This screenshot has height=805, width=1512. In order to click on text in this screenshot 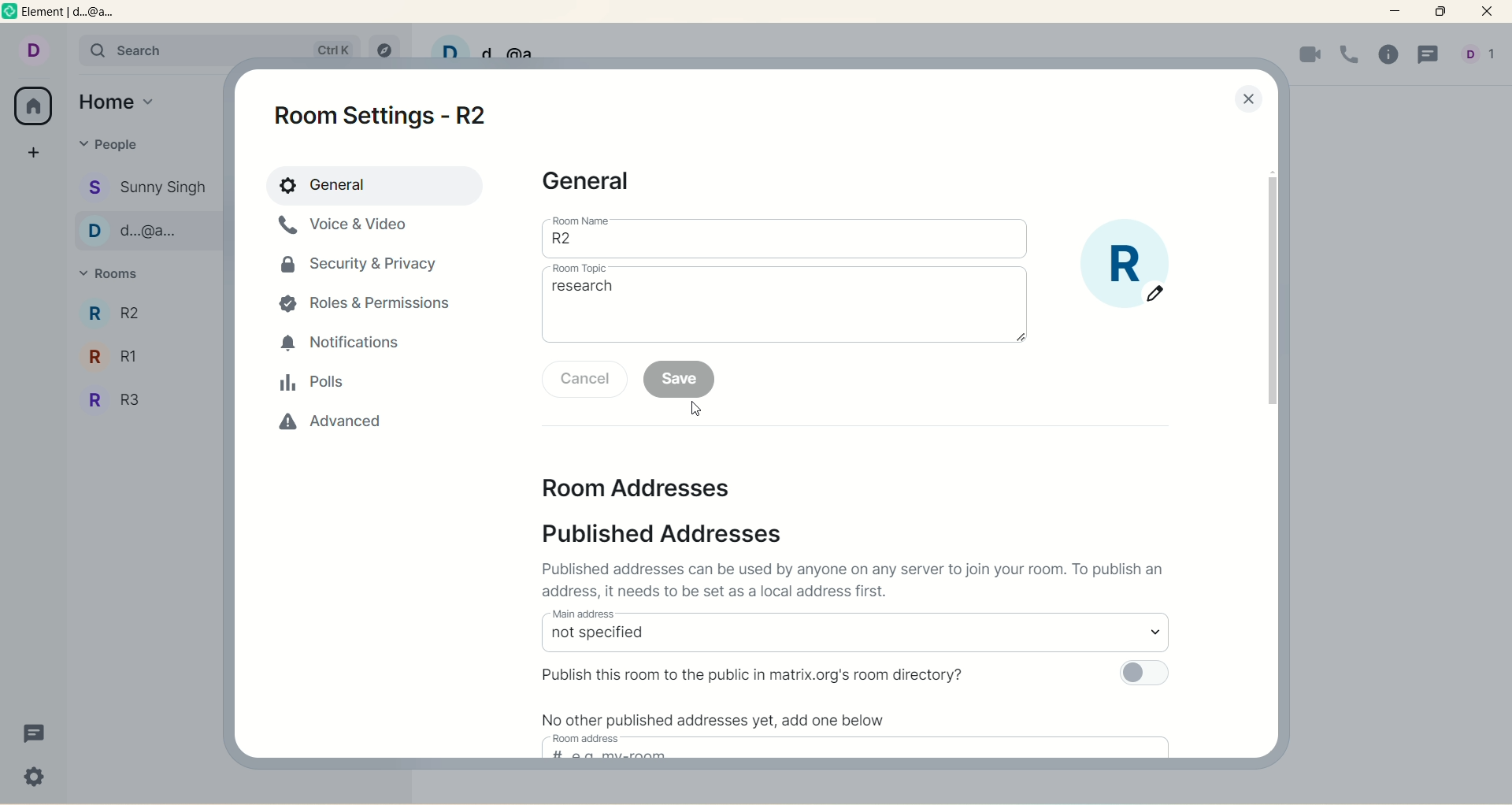, I will do `click(859, 582)`.